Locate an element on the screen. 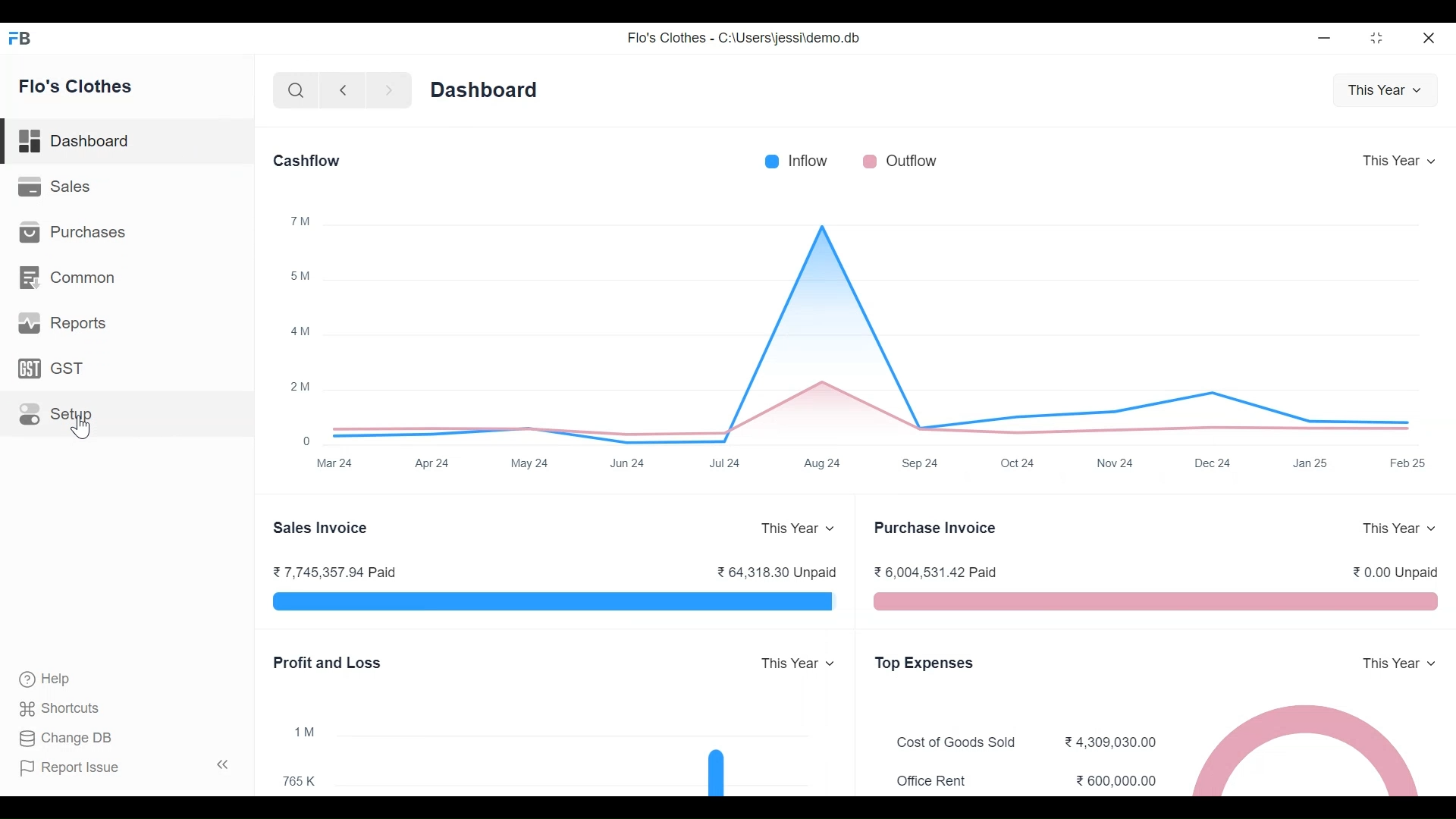 The width and height of the screenshot is (1456, 819). 5M is located at coordinates (300, 277).